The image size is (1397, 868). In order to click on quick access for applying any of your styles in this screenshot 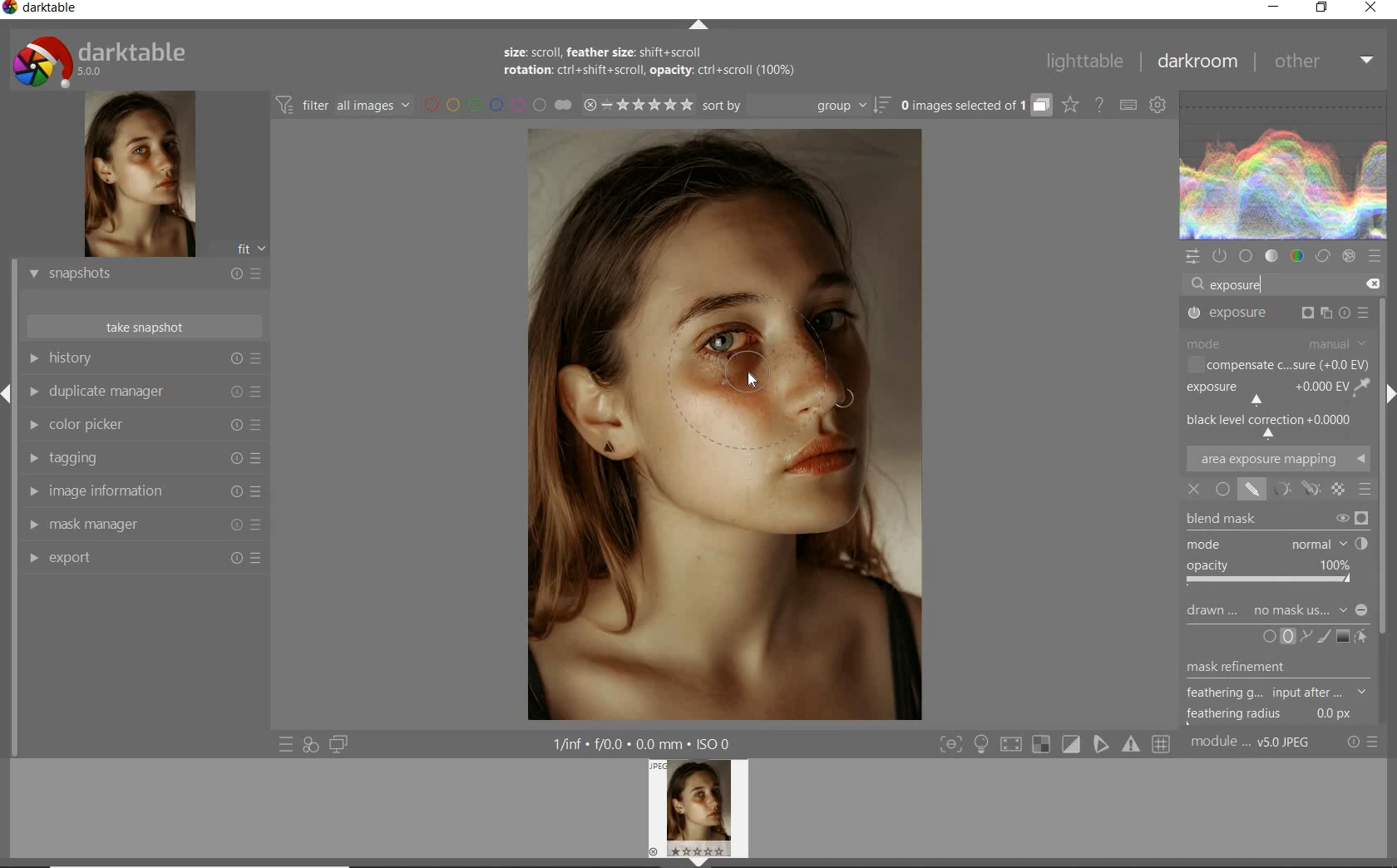, I will do `click(309, 745)`.